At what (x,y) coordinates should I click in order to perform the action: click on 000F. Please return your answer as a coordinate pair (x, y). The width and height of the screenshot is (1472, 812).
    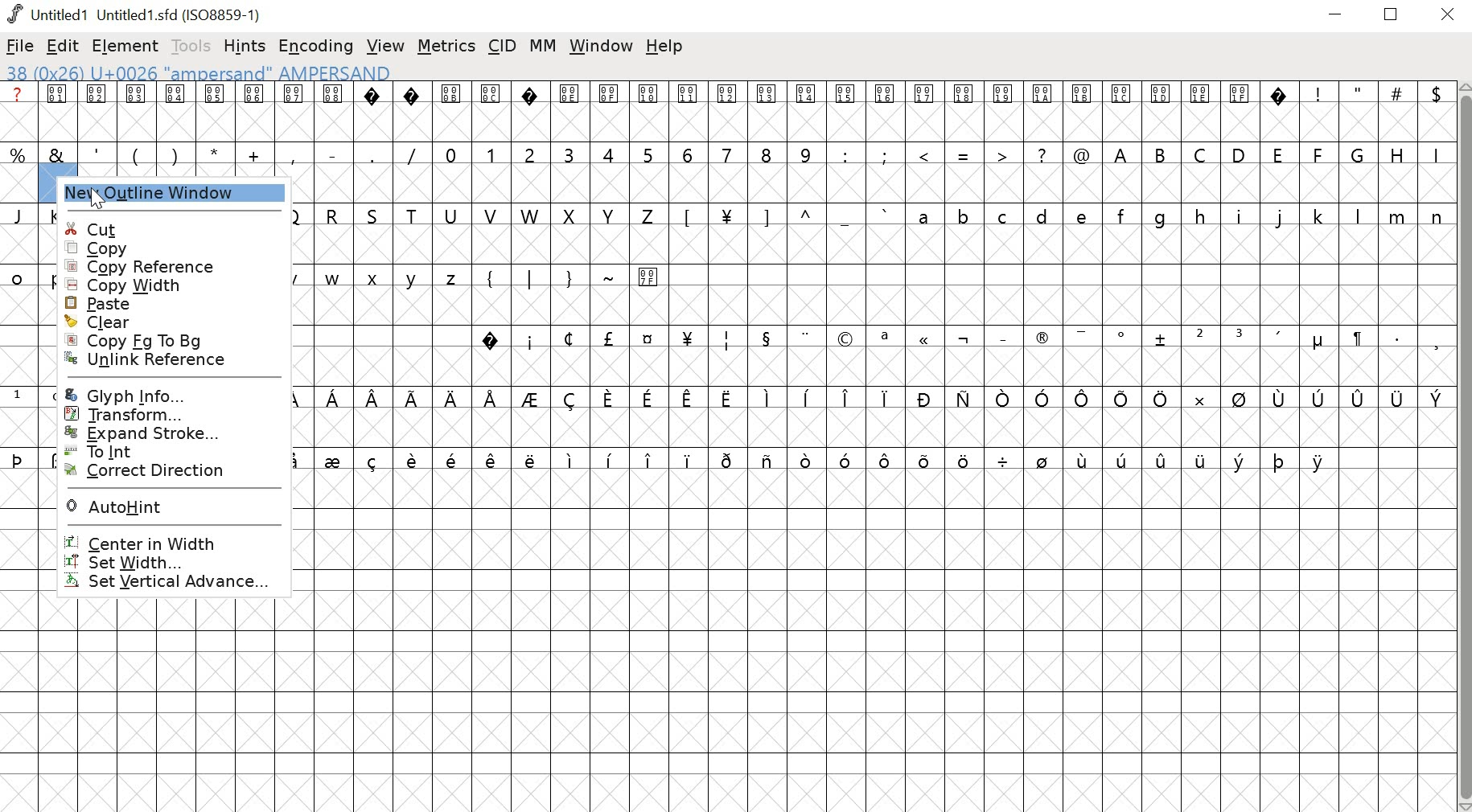
    Looking at the image, I should click on (610, 112).